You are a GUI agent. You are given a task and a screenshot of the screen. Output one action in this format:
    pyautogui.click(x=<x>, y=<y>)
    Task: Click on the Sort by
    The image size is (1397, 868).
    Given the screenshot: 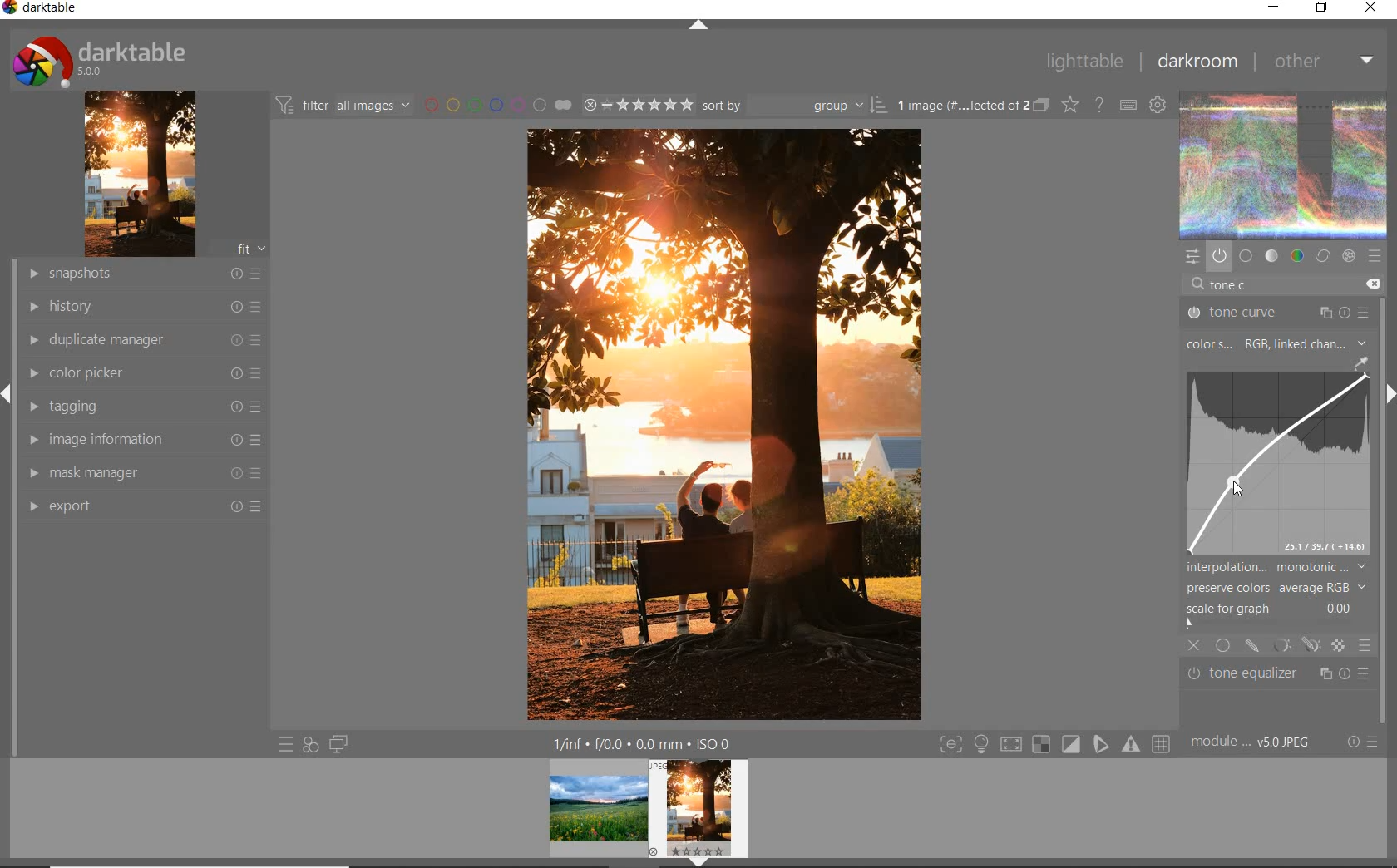 What is the action you would take?
    pyautogui.click(x=794, y=106)
    